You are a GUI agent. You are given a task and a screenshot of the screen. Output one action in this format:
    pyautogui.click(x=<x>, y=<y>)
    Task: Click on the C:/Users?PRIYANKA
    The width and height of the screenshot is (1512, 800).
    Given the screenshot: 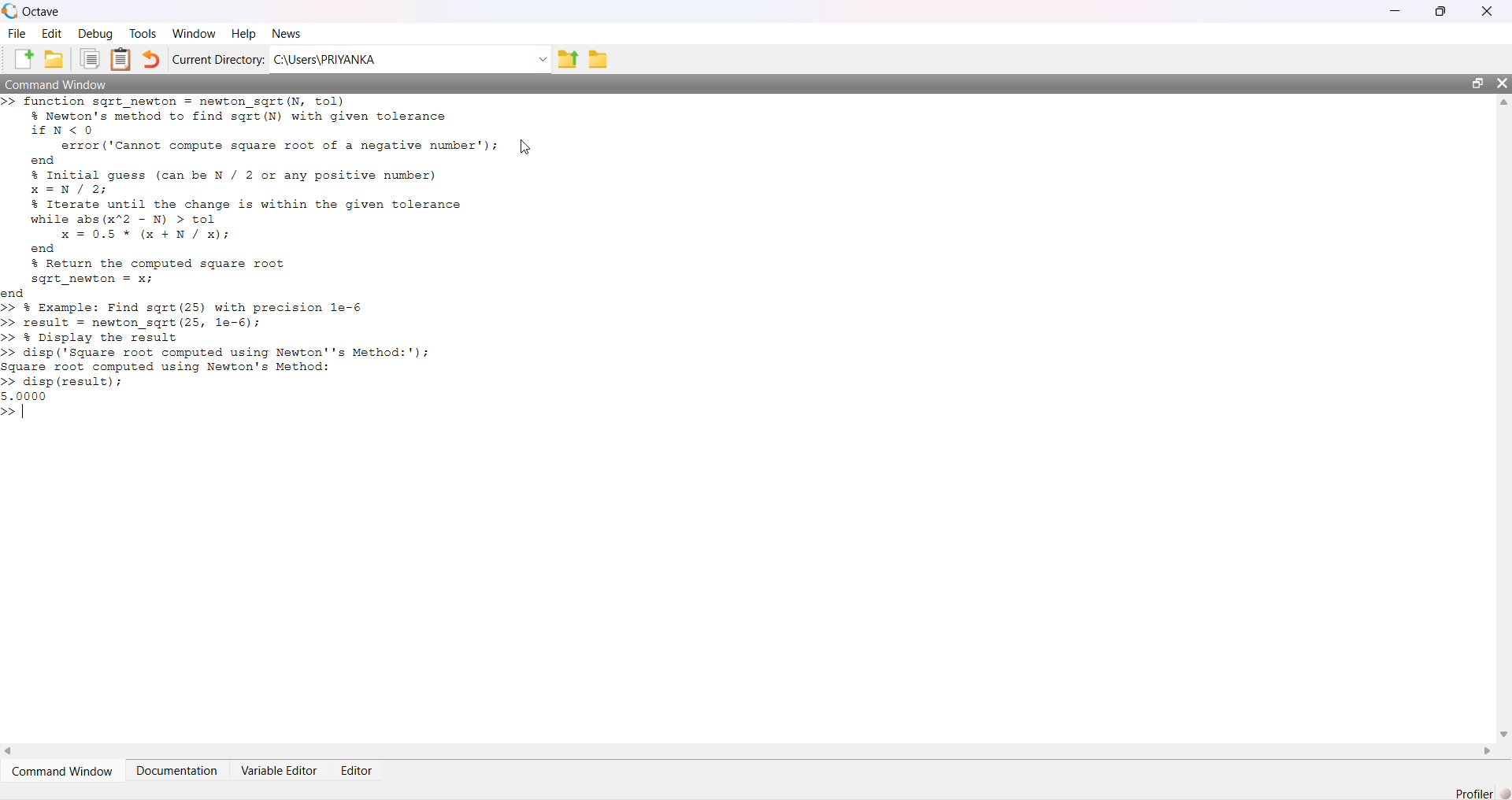 What is the action you would take?
    pyautogui.click(x=400, y=59)
    